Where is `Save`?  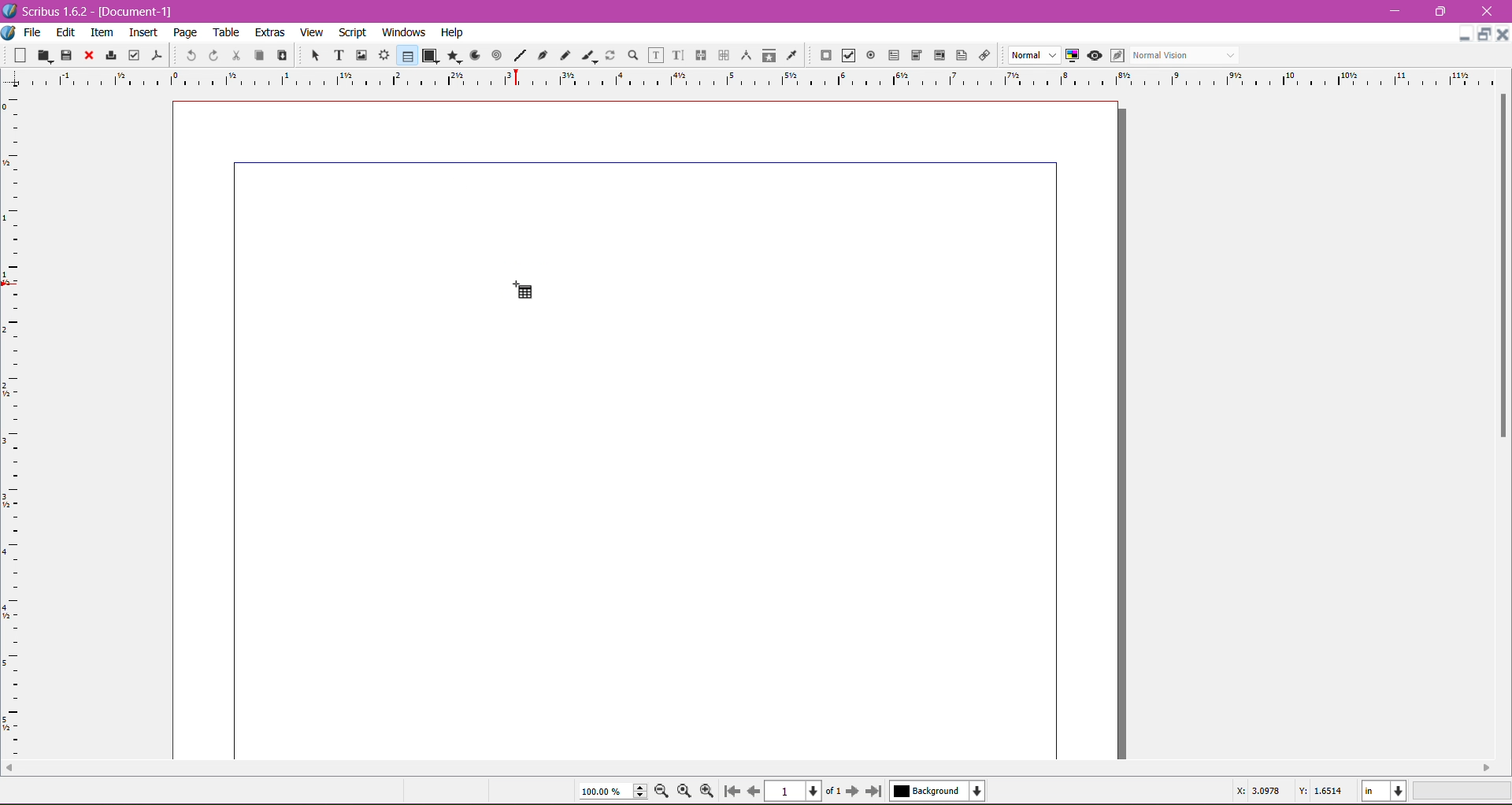
Save is located at coordinates (67, 54).